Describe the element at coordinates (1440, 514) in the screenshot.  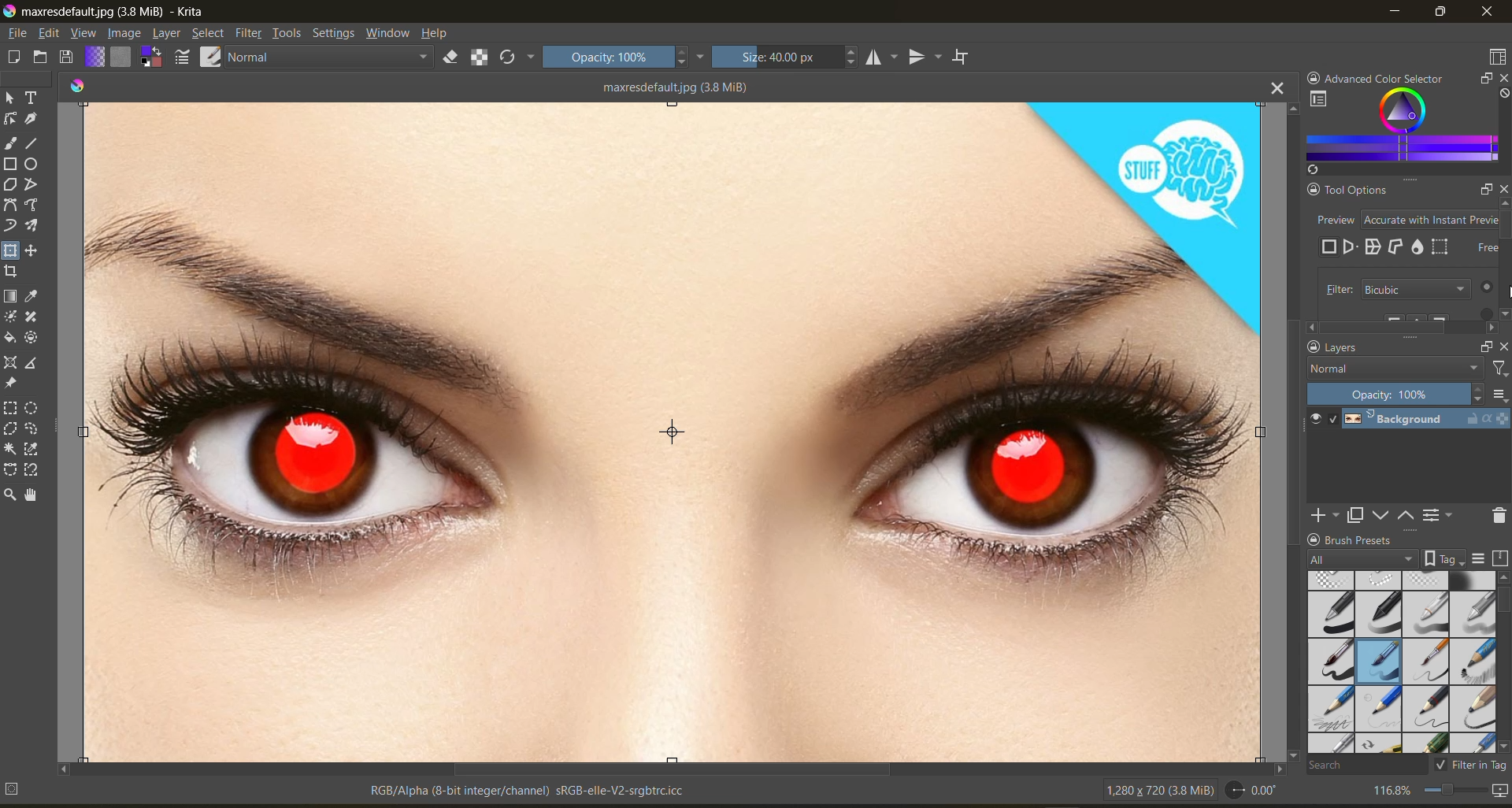
I see `view or change the layer properties` at that location.